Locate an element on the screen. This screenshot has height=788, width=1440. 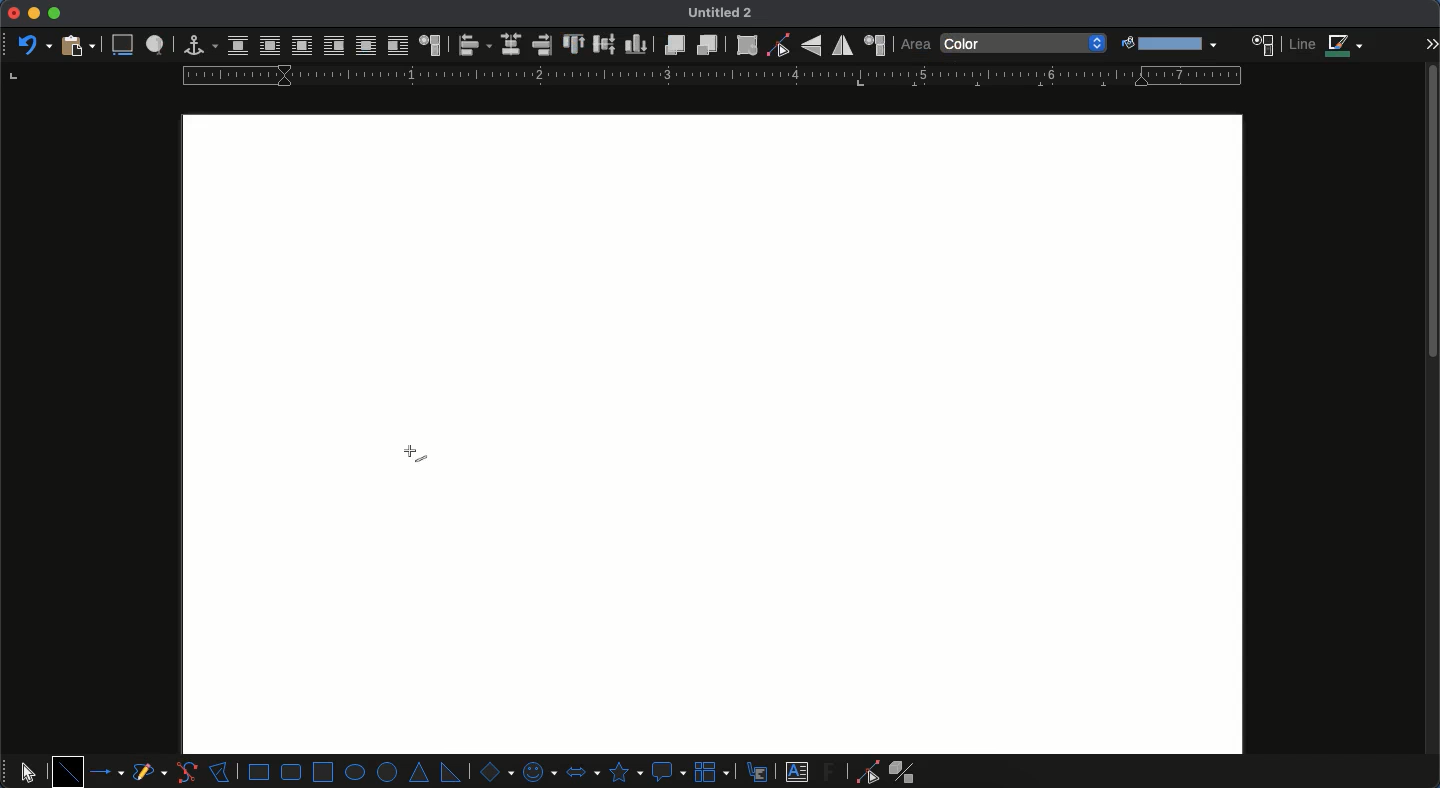
basic shapes is located at coordinates (494, 771).